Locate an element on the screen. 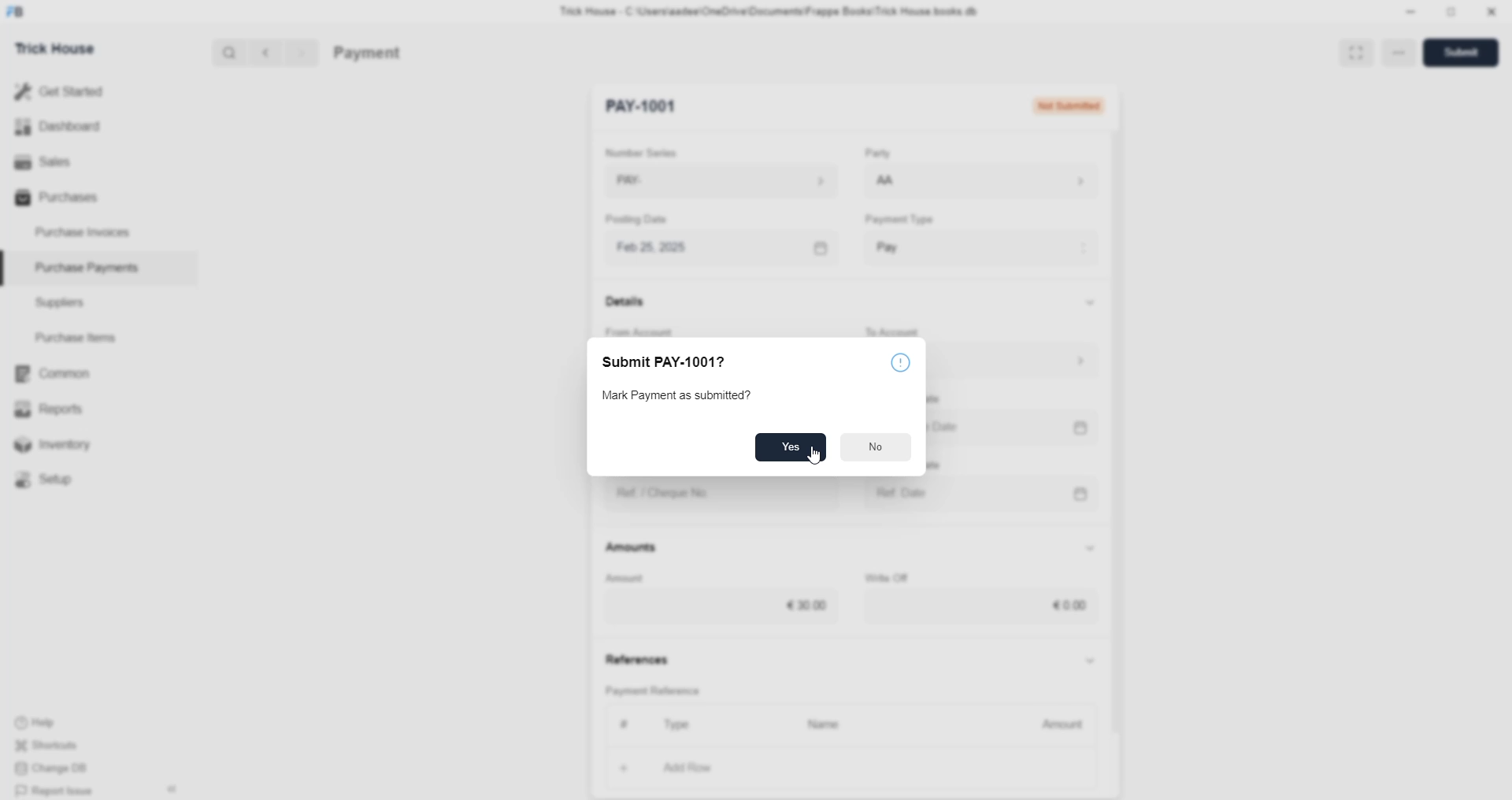 Image resolution: width=1512 pixels, height=800 pixels. Number Series is located at coordinates (652, 152).